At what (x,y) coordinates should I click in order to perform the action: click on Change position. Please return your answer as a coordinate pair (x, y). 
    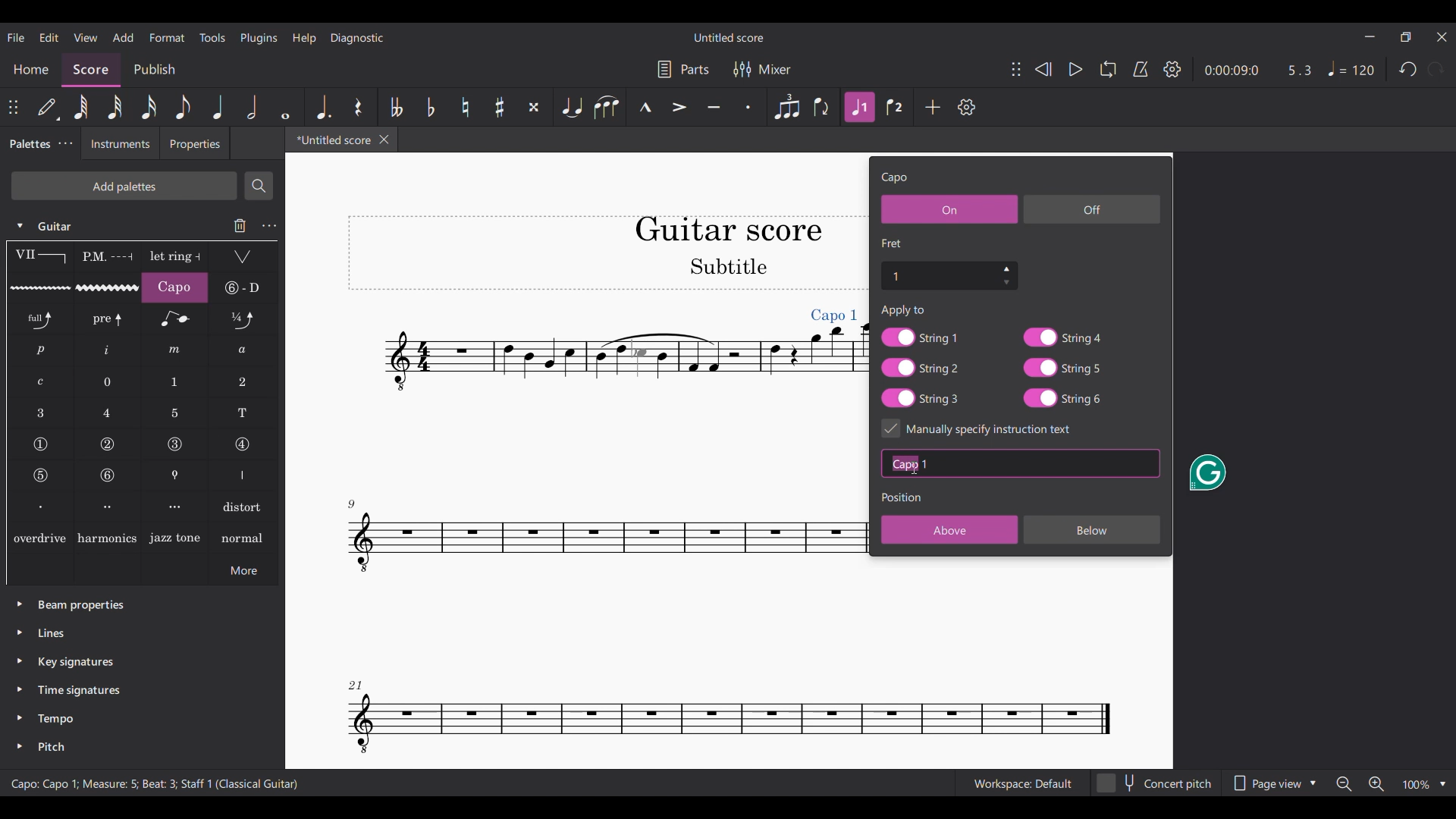
    Looking at the image, I should click on (1016, 69).